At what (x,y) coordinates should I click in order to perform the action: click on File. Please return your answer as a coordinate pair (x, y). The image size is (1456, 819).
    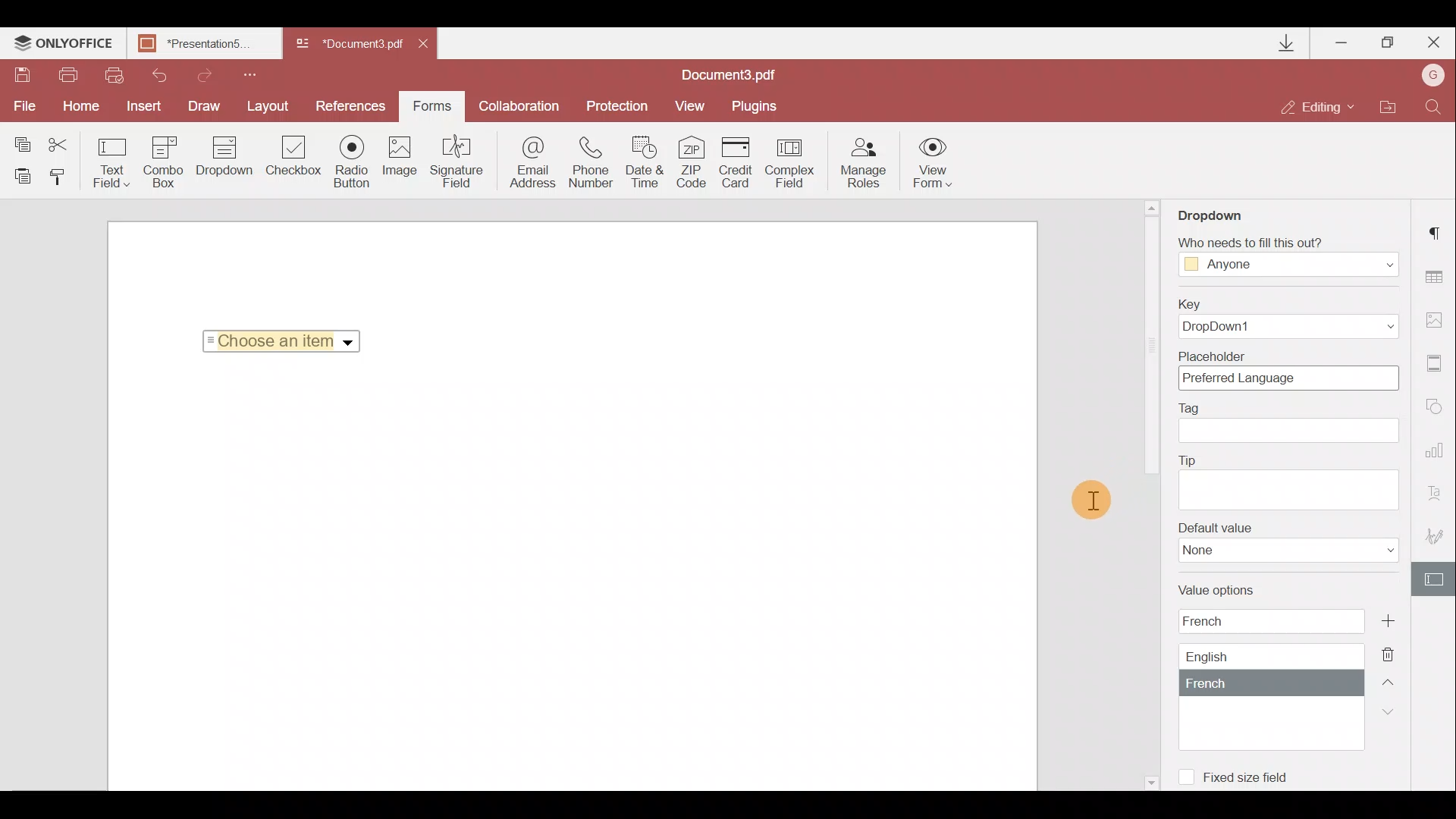
    Looking at the image, I should click on (23, 106).